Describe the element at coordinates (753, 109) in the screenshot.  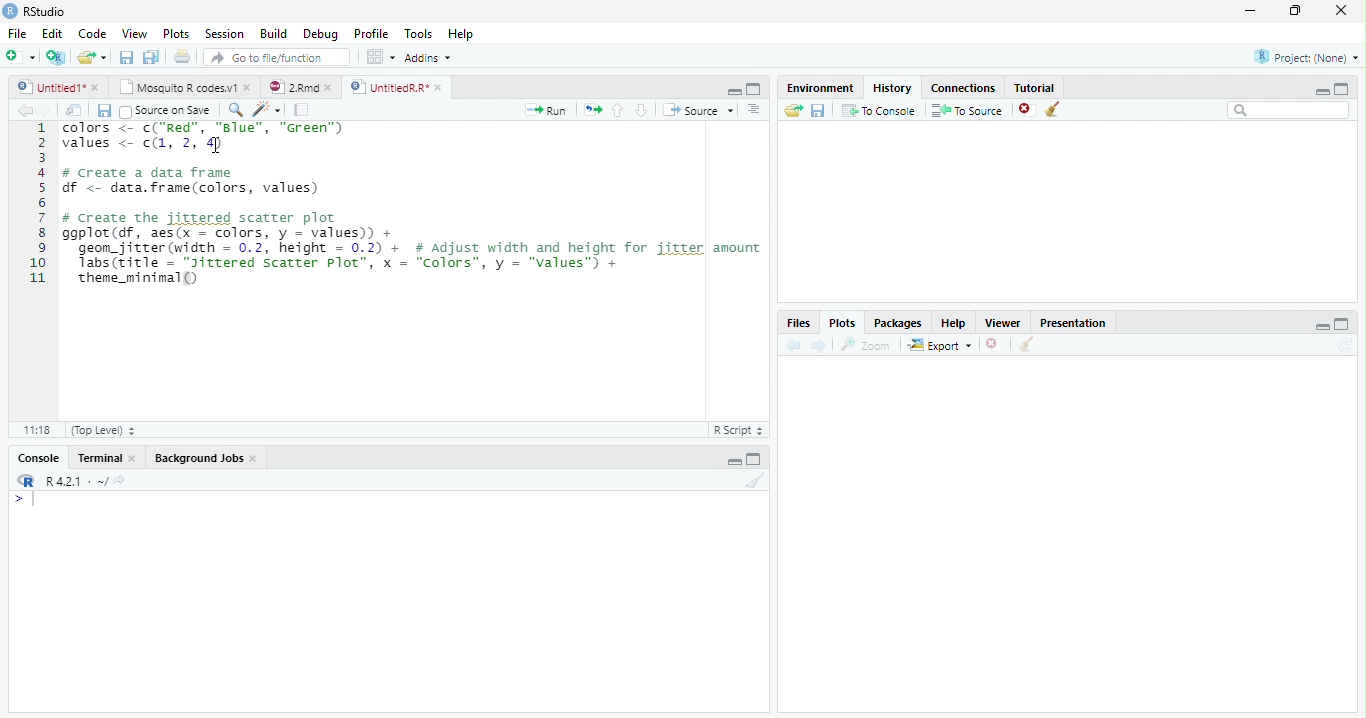
I see `Show document outline` at that location.